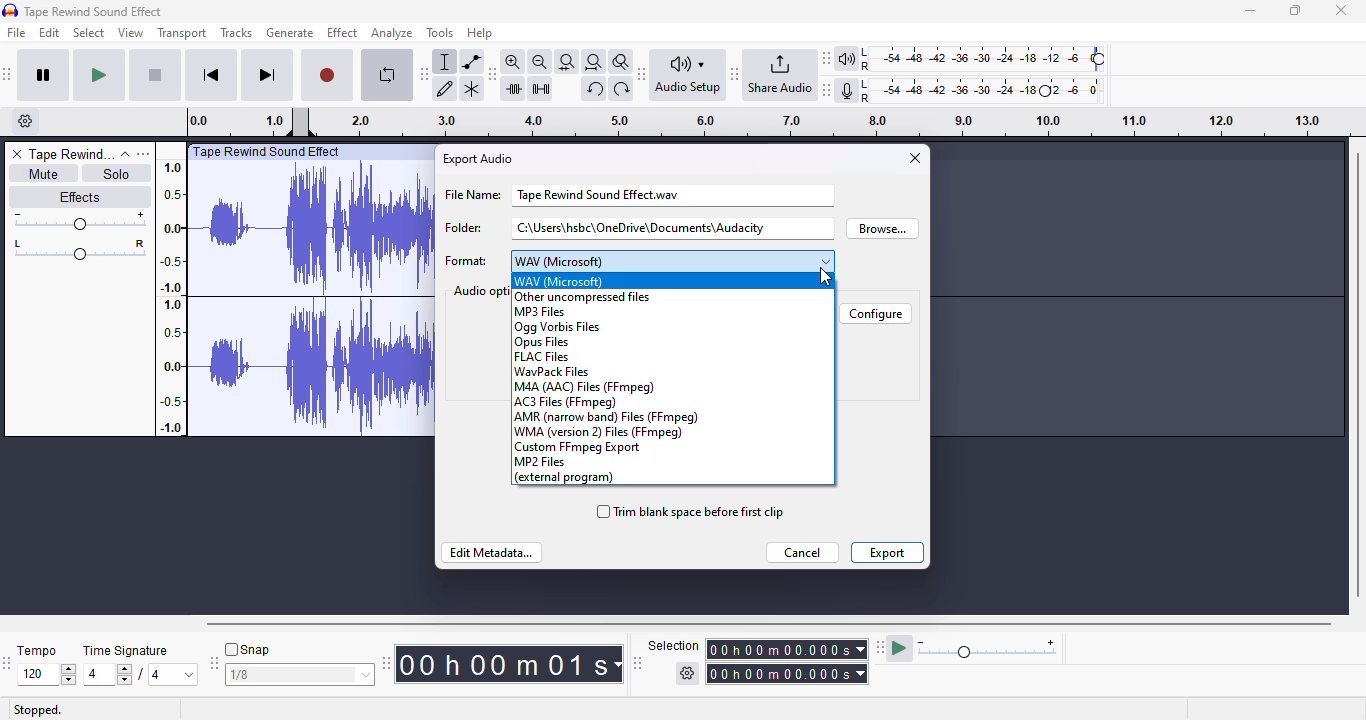 Image resolution: width=1366 pixels, height=720 pixels. Describe the element at coordinates (143, 666) in the screenshot. I see `time signature` at that location.